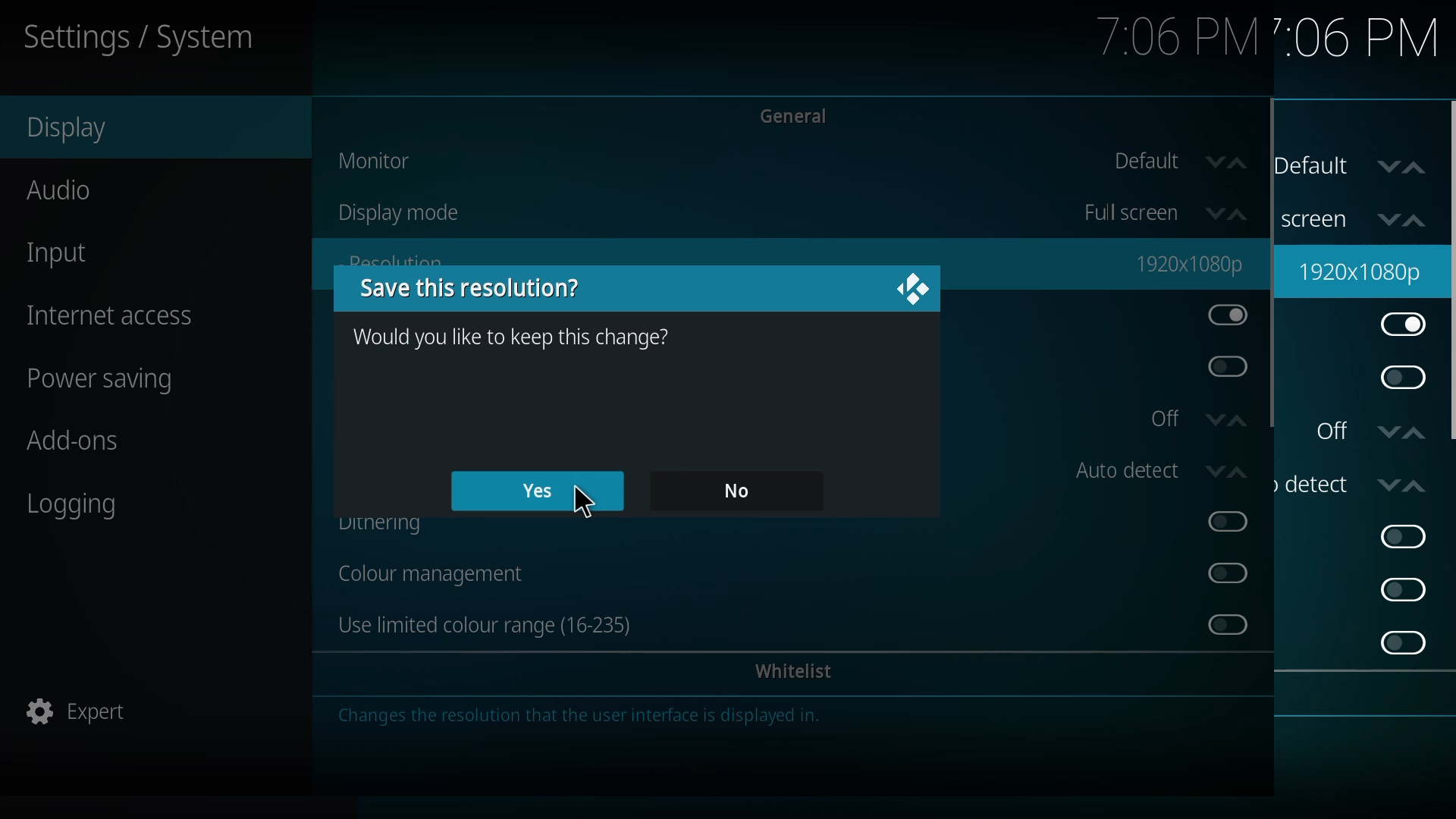 The image size is (1456, 819). Describe the element at coordinates (1363, 270) in the screenshot. I see `1920*1080p` at that location.